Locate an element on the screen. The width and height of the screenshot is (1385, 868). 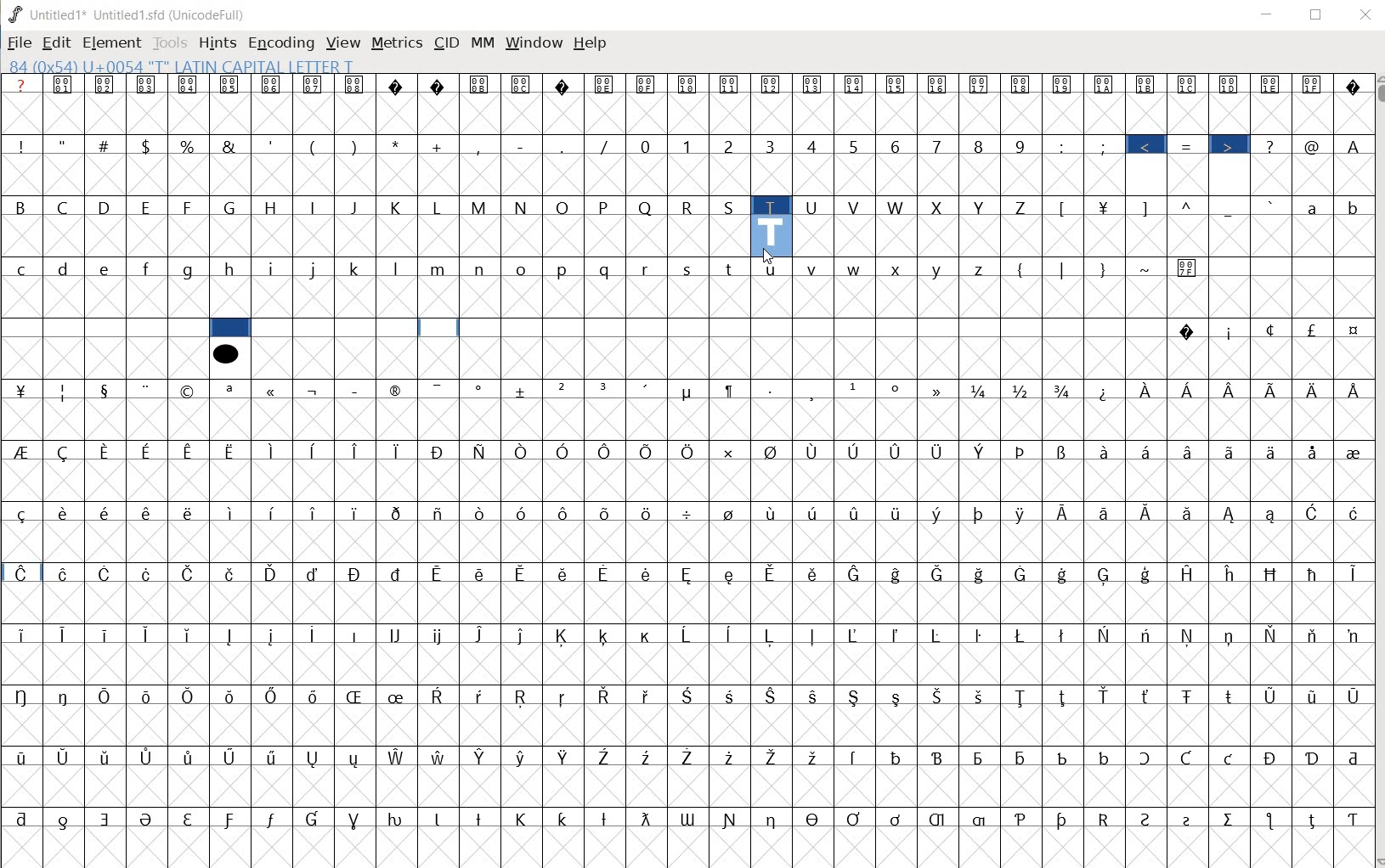
Symbol is located at coordinates (1274, 573).